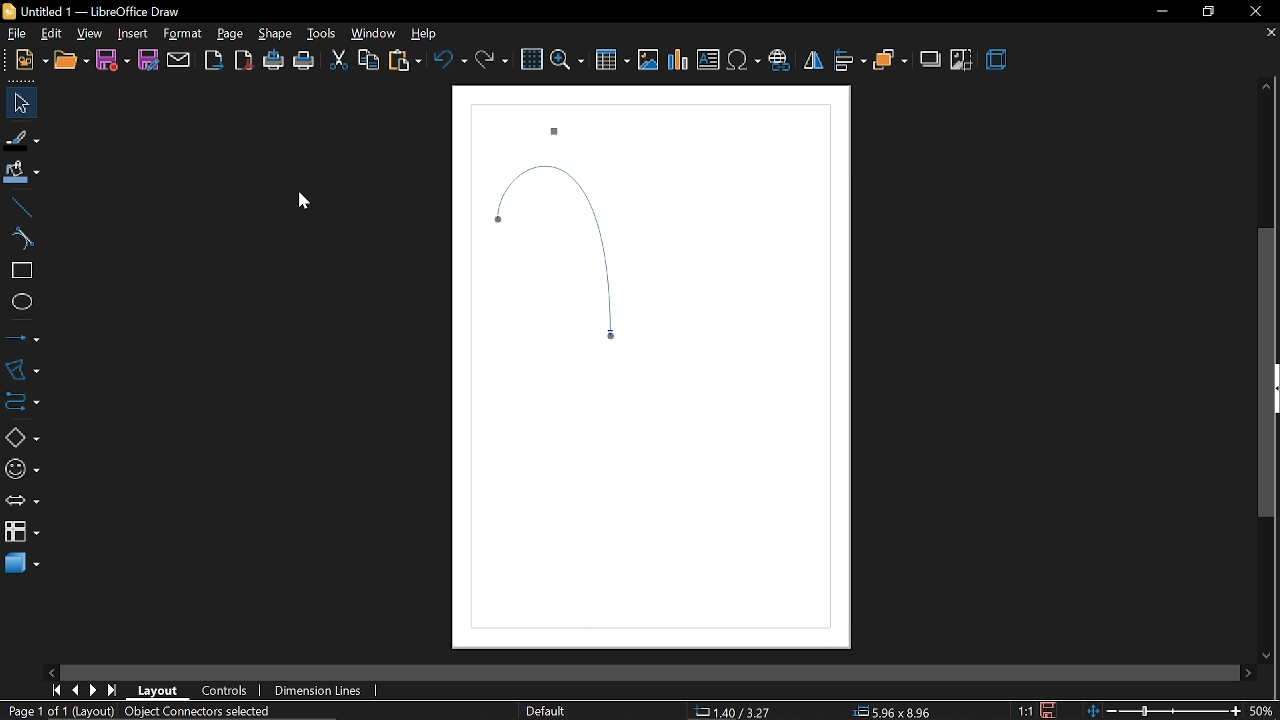 The width and height of the screenshot is (1280, 720). What do you see at coordinates (649, 61) in the screenshot?
I see `Insert image` at bounding box center [649, 61].